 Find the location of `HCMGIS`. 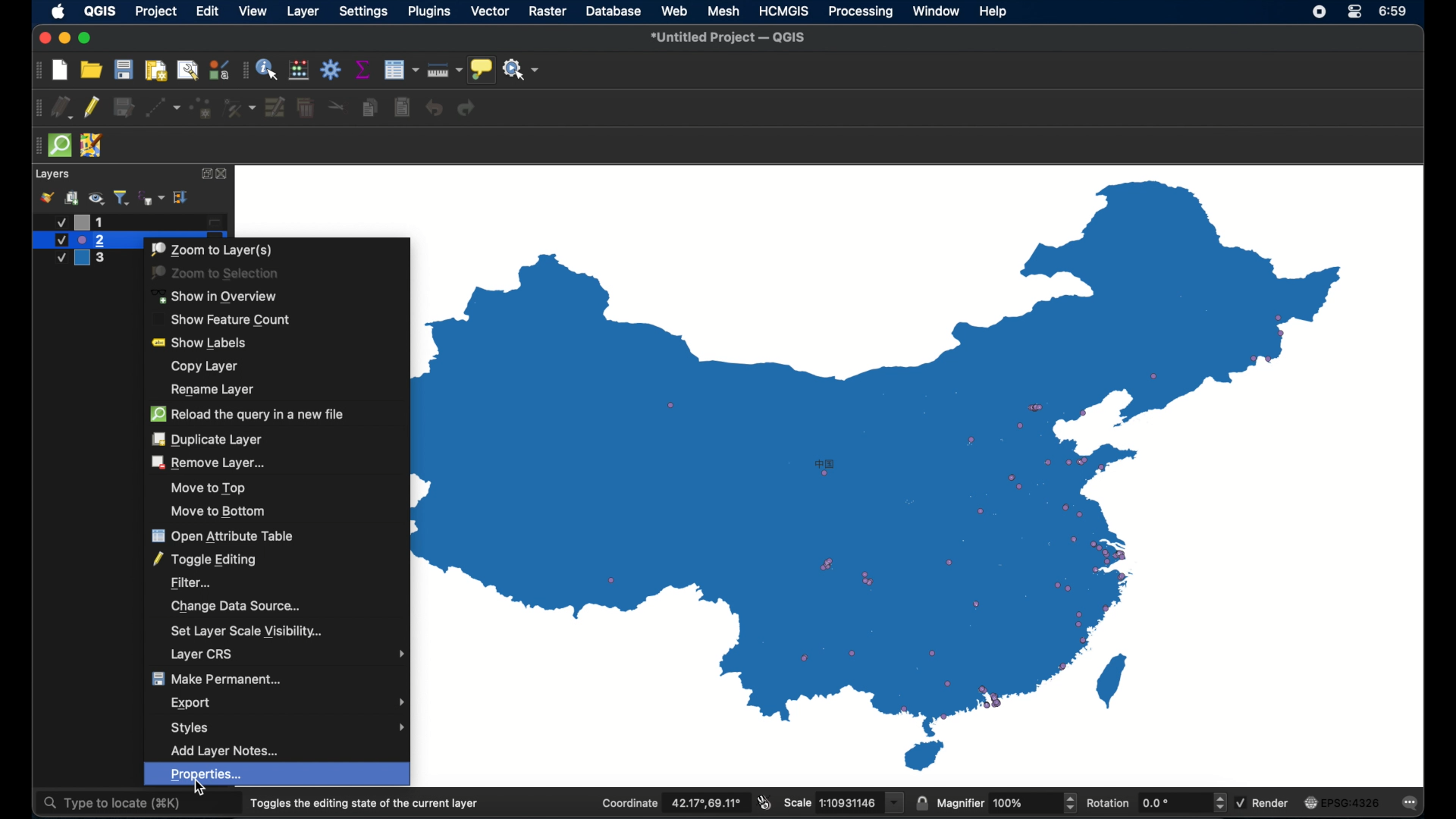

HCMGIS is located at coordinates (784, 11).